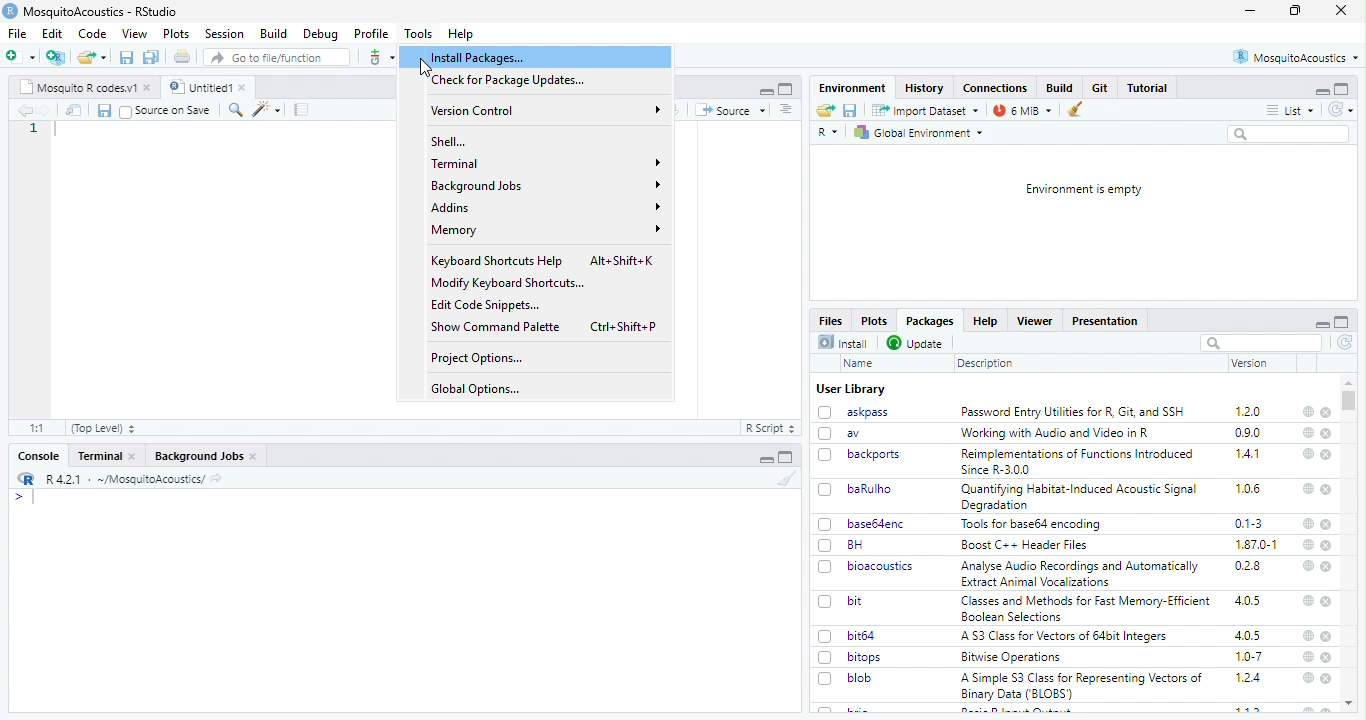 The height and width of the screenshot is (720, 1366). Describe the element at coordinates (1346, 343) in the screenshot. I see `sync` at that location.